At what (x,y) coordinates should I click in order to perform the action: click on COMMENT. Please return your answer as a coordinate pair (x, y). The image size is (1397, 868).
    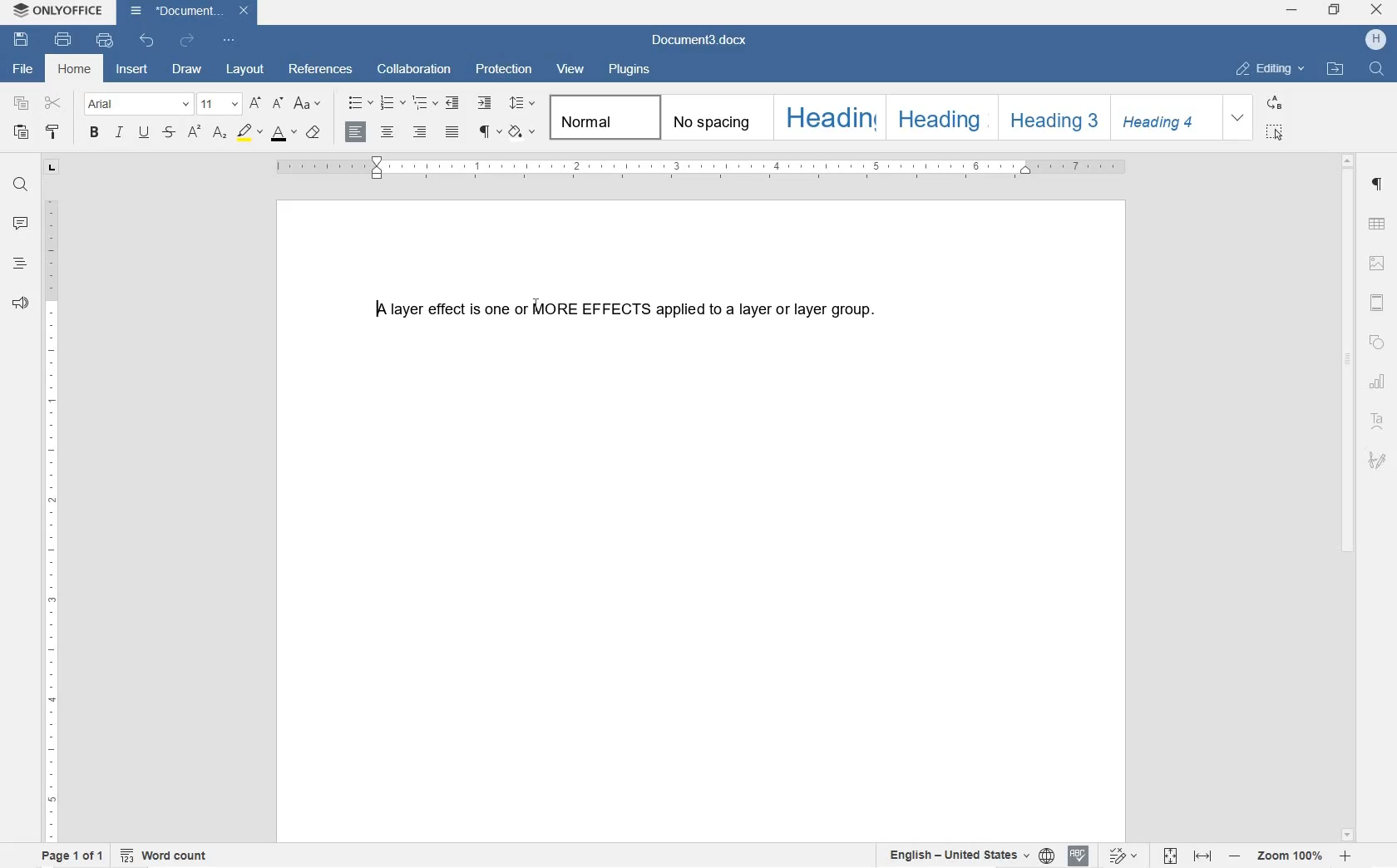
    Looking at the image, I should click on (21, 225).